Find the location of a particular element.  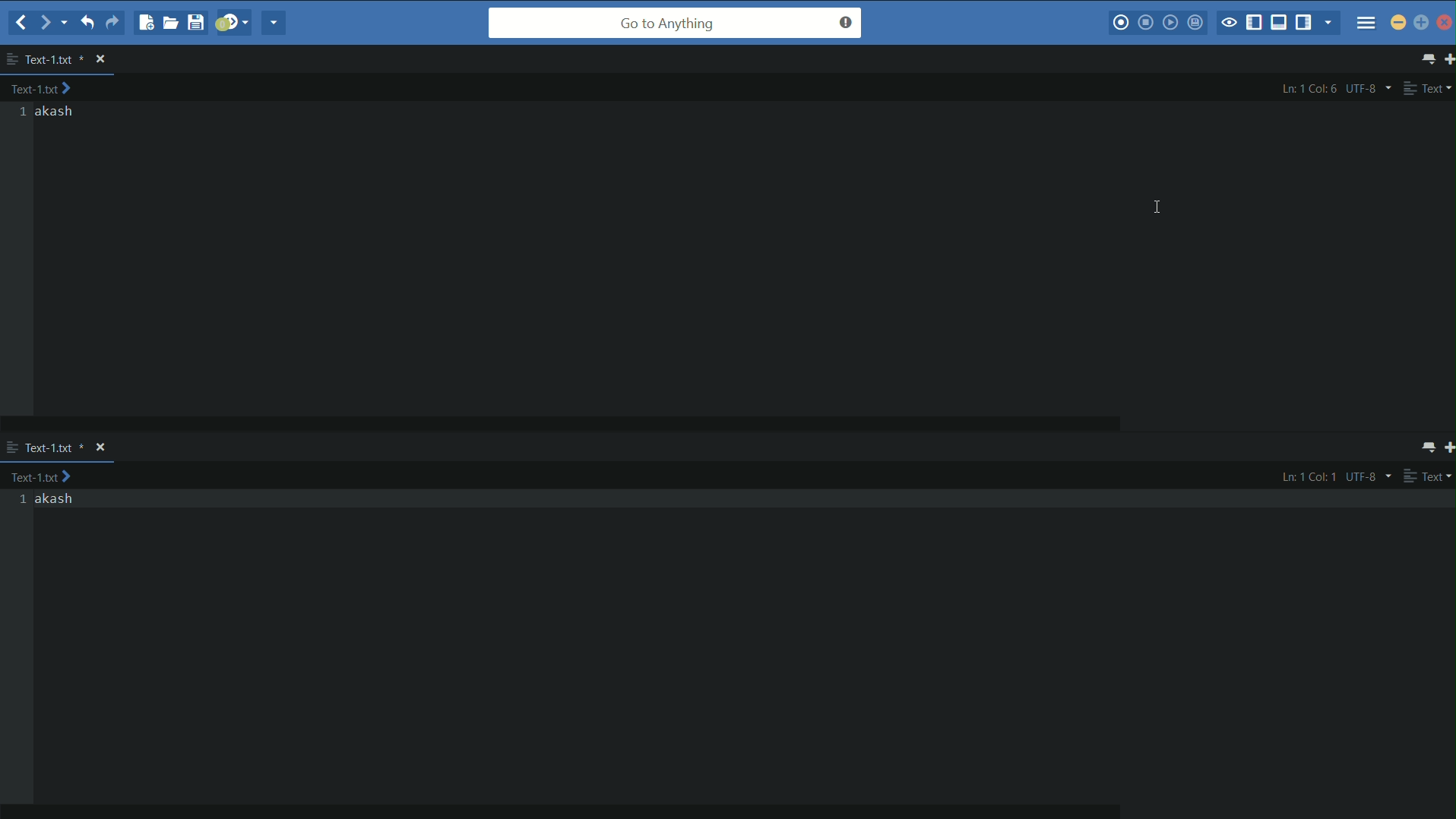

Horizontal scroll bar is located at coordinates (521, 427).